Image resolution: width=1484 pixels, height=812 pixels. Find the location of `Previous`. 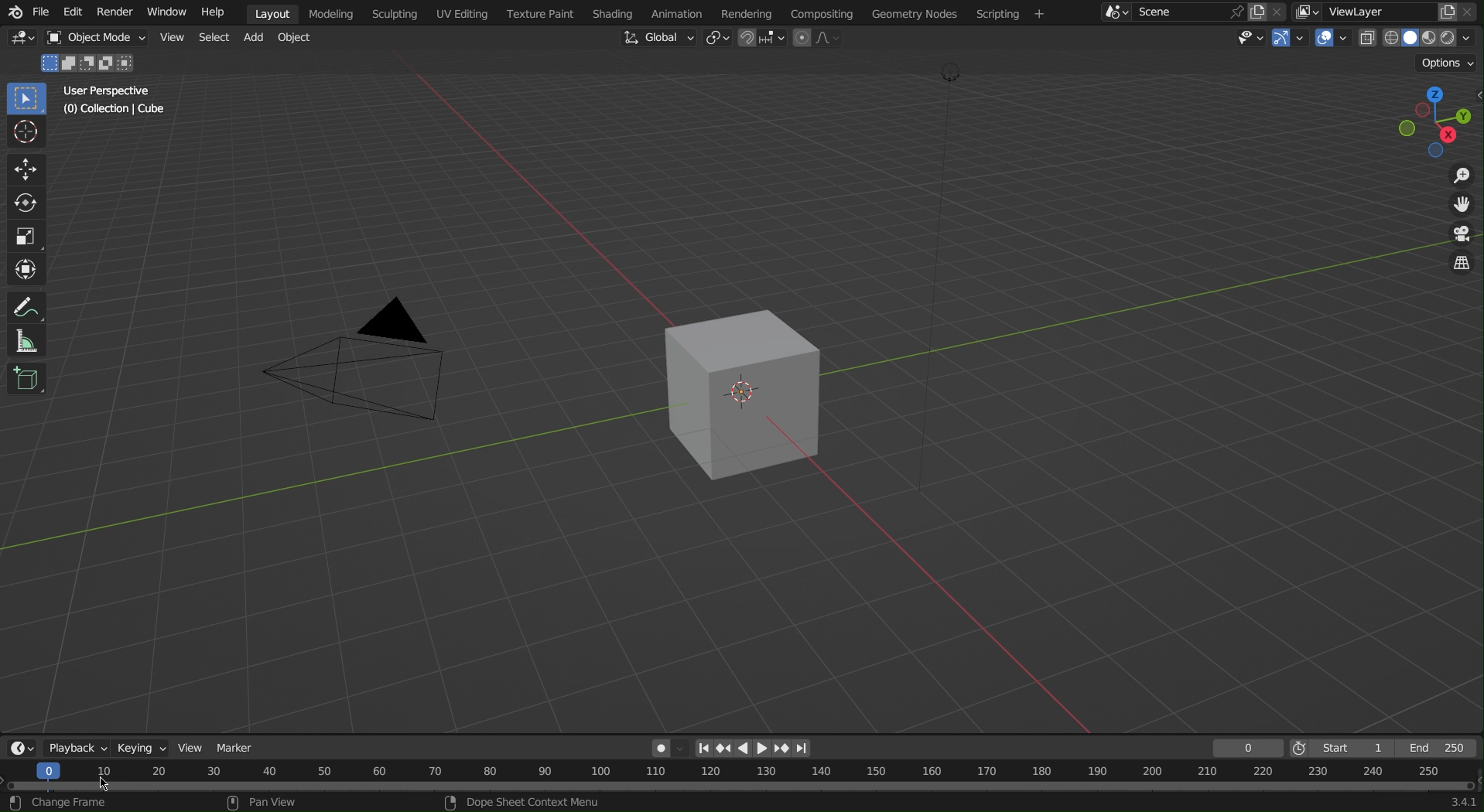

Previous is located at coordinates (725, 748).